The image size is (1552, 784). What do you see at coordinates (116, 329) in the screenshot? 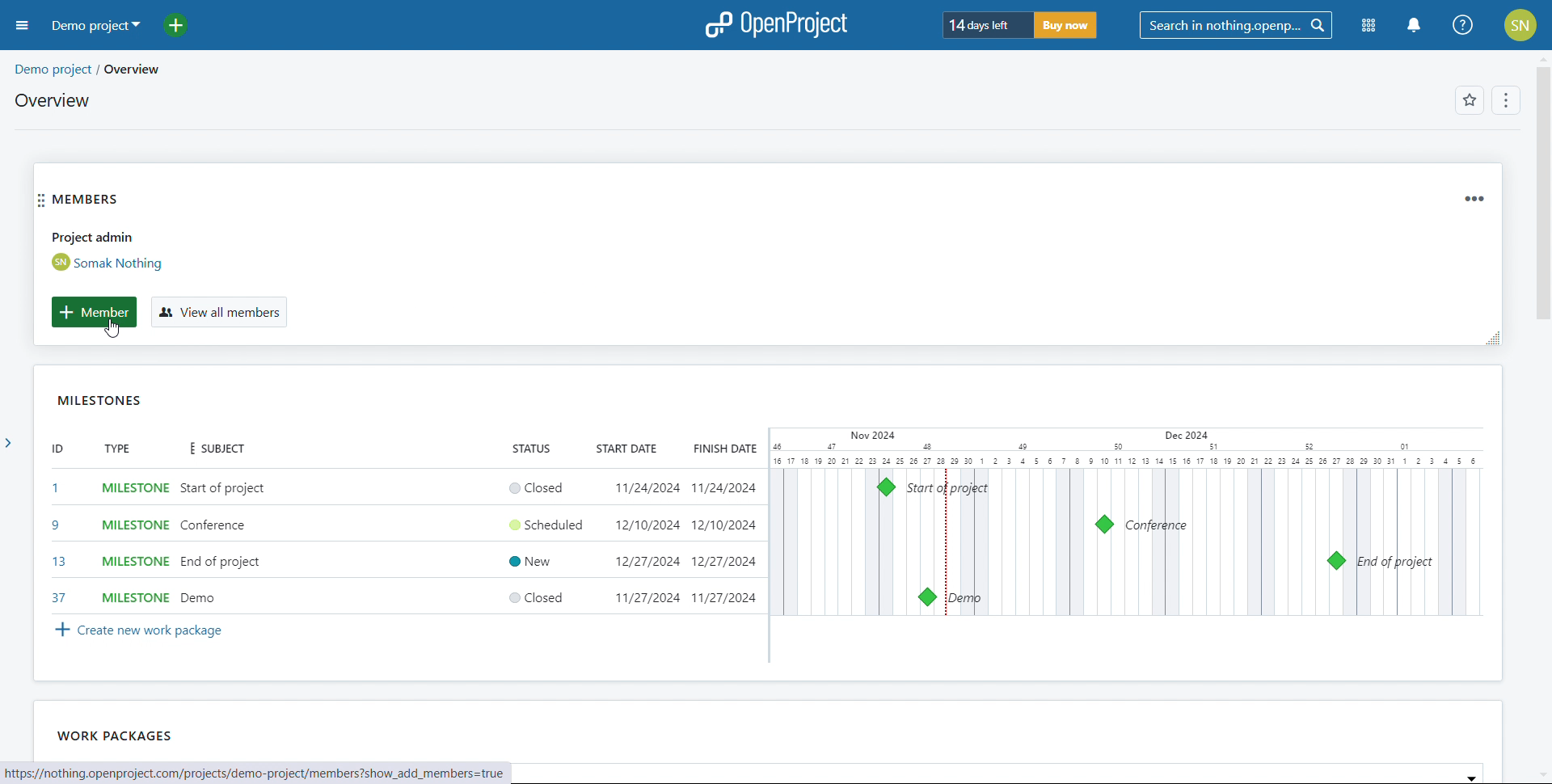
I see `cursor` at bounding box center [116, 329].